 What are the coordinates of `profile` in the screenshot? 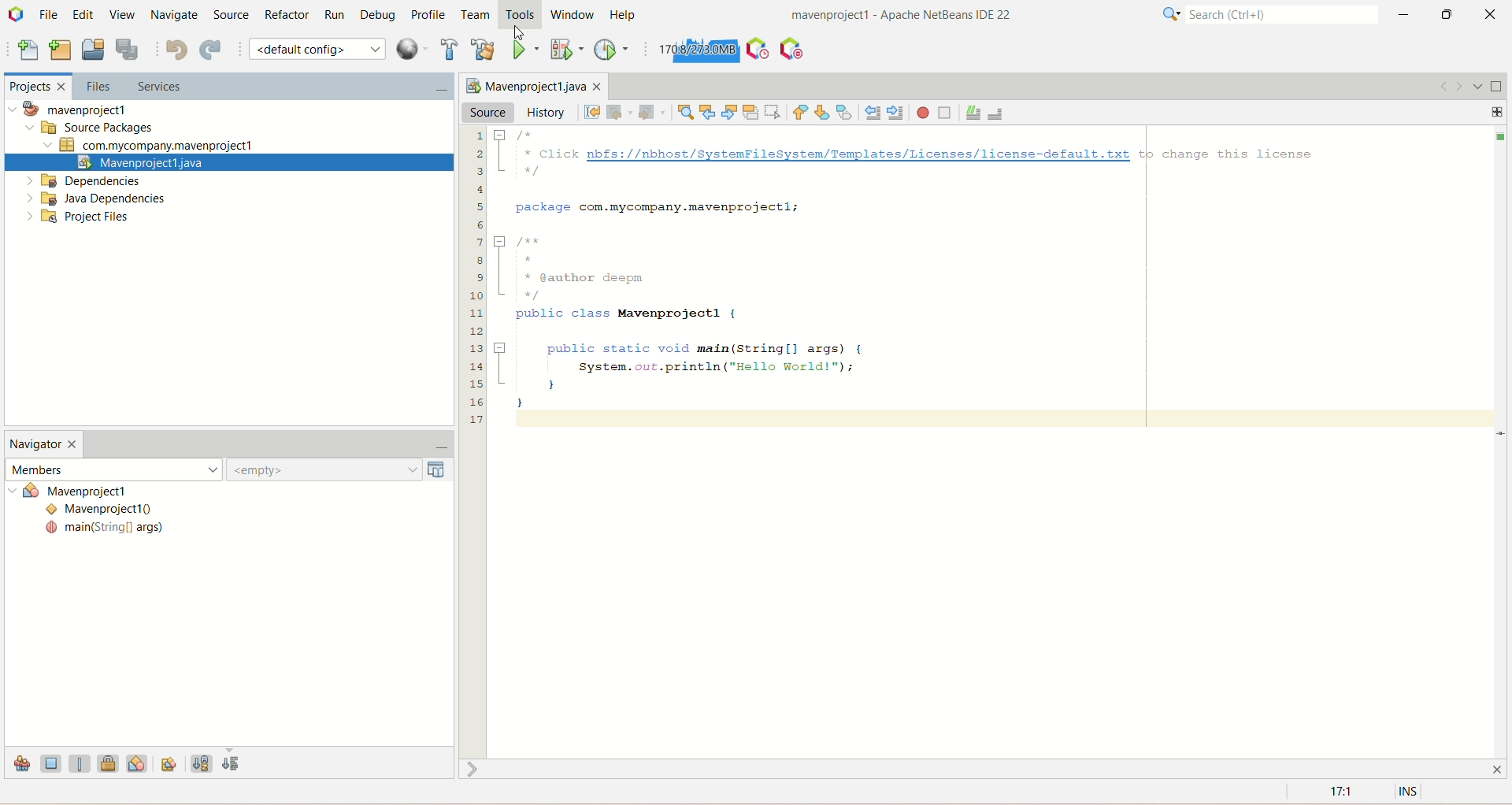 It's located at (431, 14).